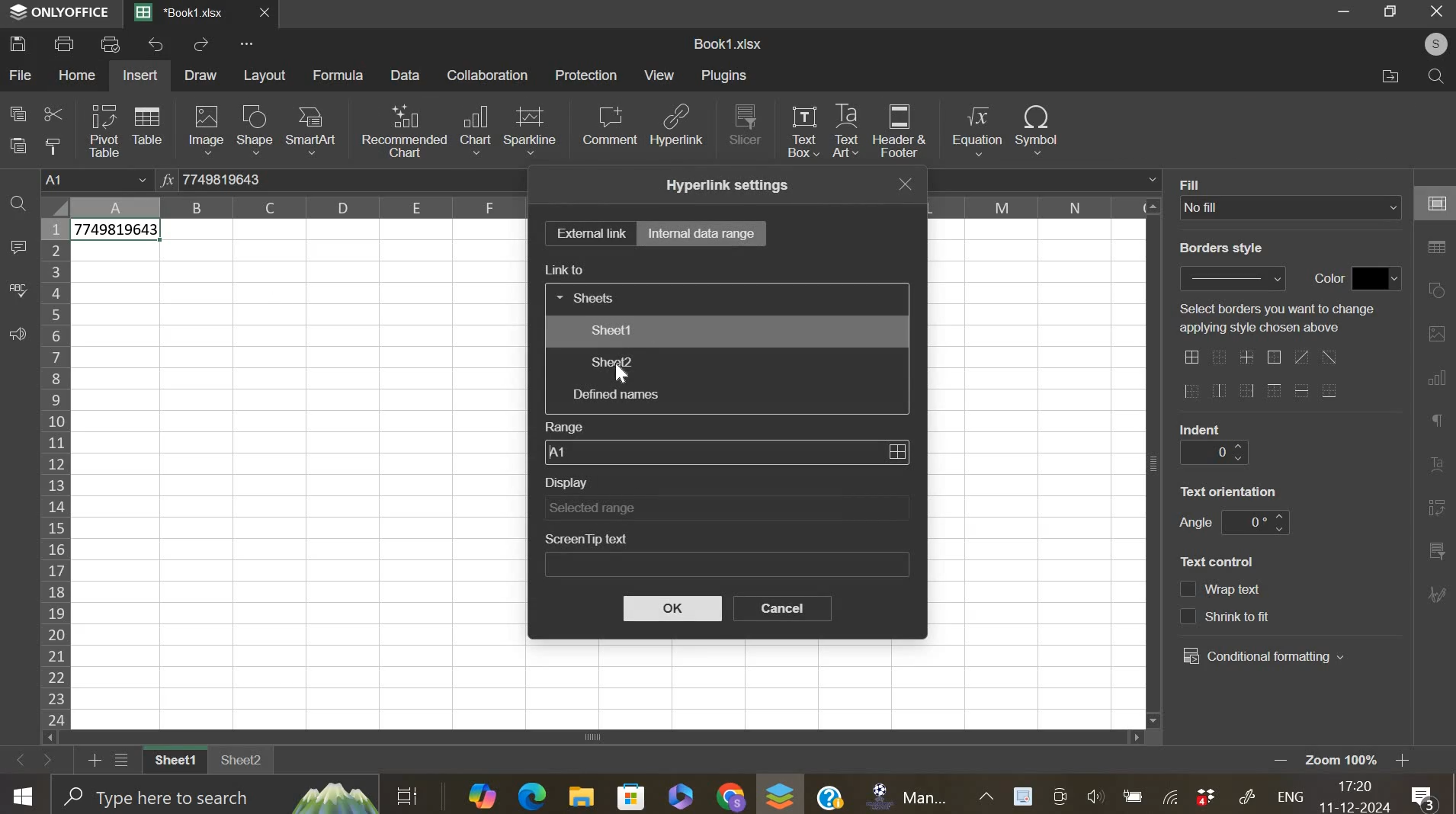 This screenshot has width=1456, height=814. I want to click on spelling, so click(18, 290).